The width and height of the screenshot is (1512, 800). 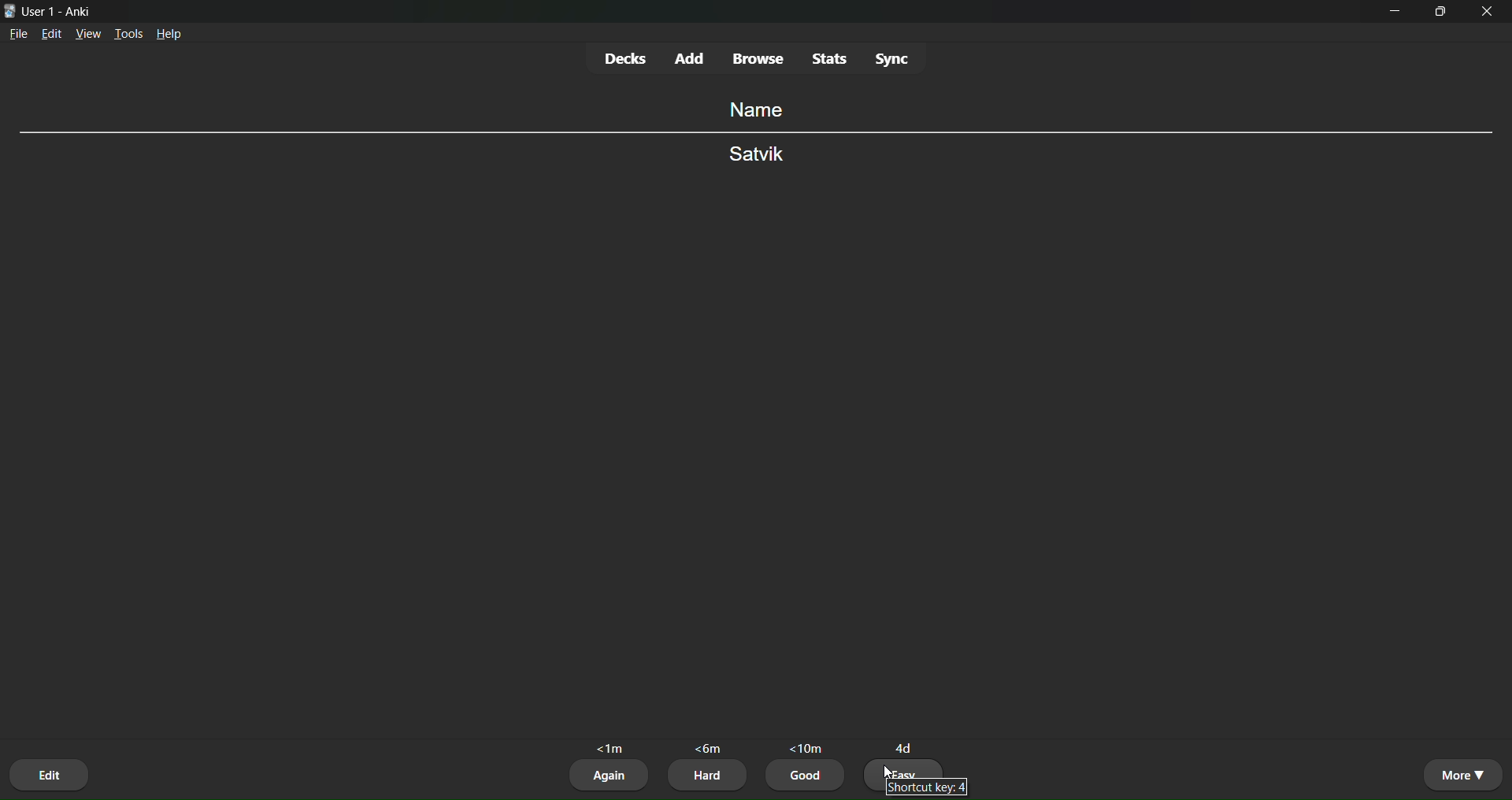 I want to click on good, so click(x=807, y=778).